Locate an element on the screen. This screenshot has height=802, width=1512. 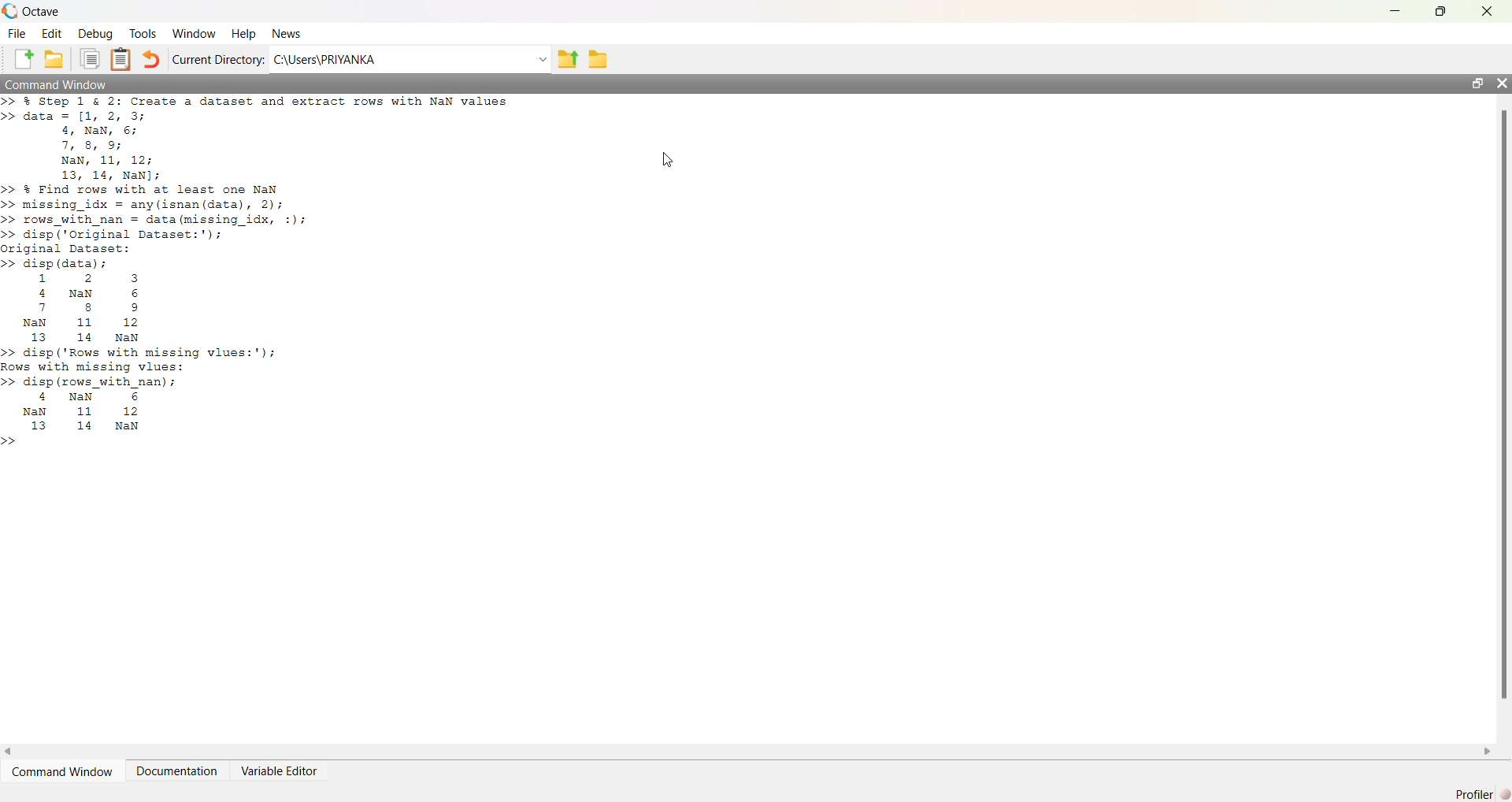
folder is located at coordinates (598, 60).